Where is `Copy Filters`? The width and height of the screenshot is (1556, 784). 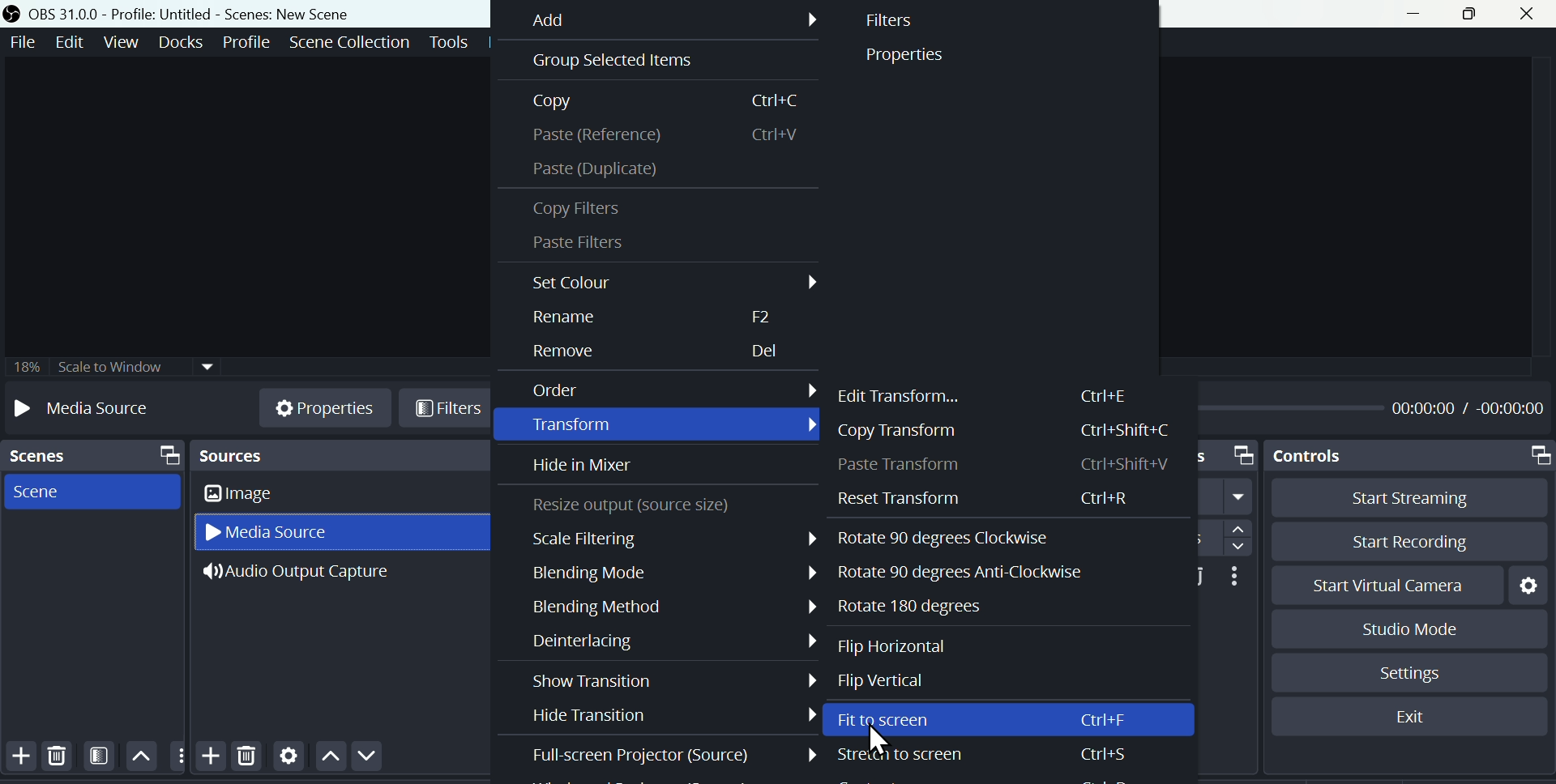 Copy Filters is located at coordinates (588, 210).